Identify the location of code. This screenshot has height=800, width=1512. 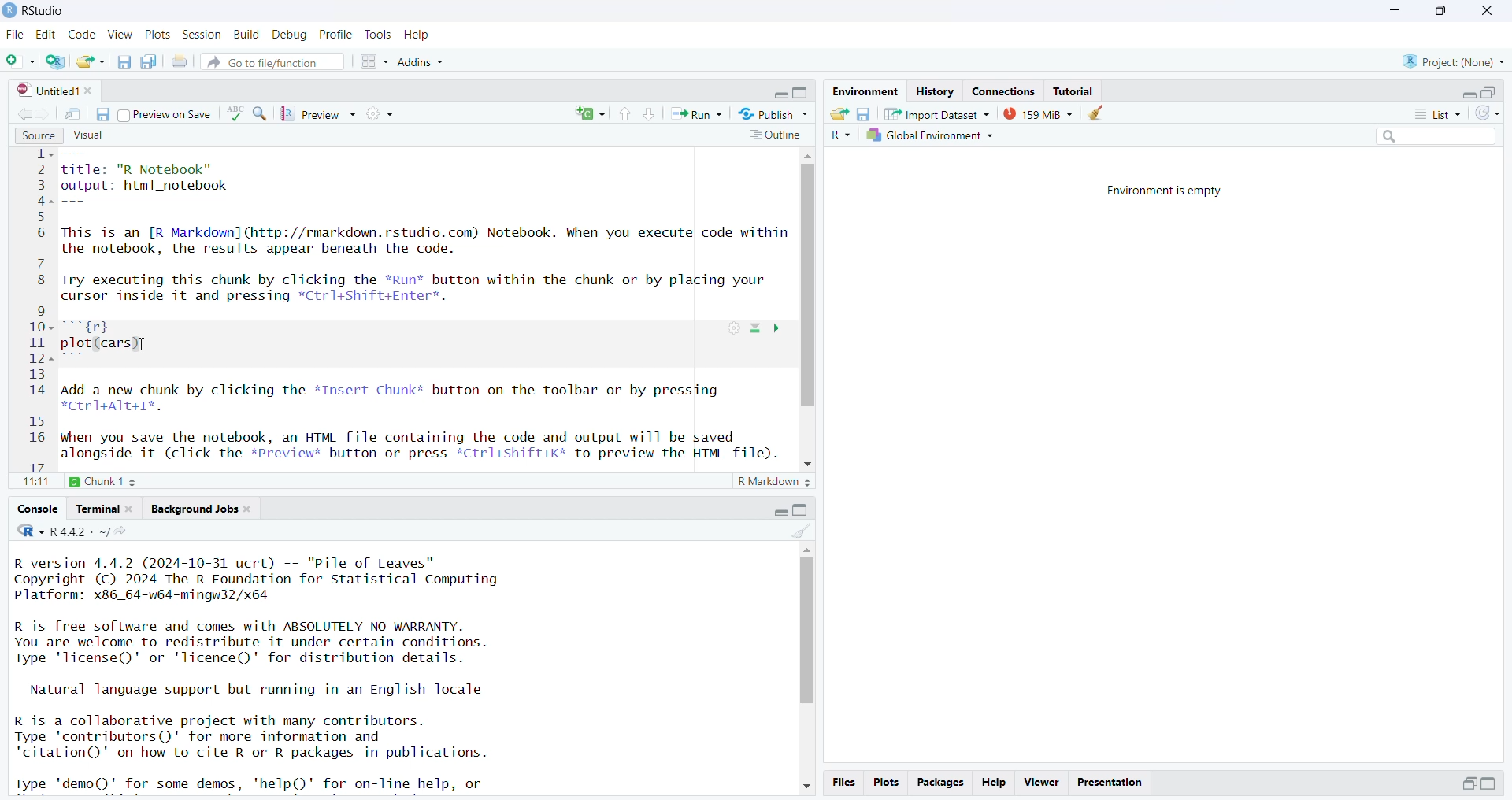
(83, 34).